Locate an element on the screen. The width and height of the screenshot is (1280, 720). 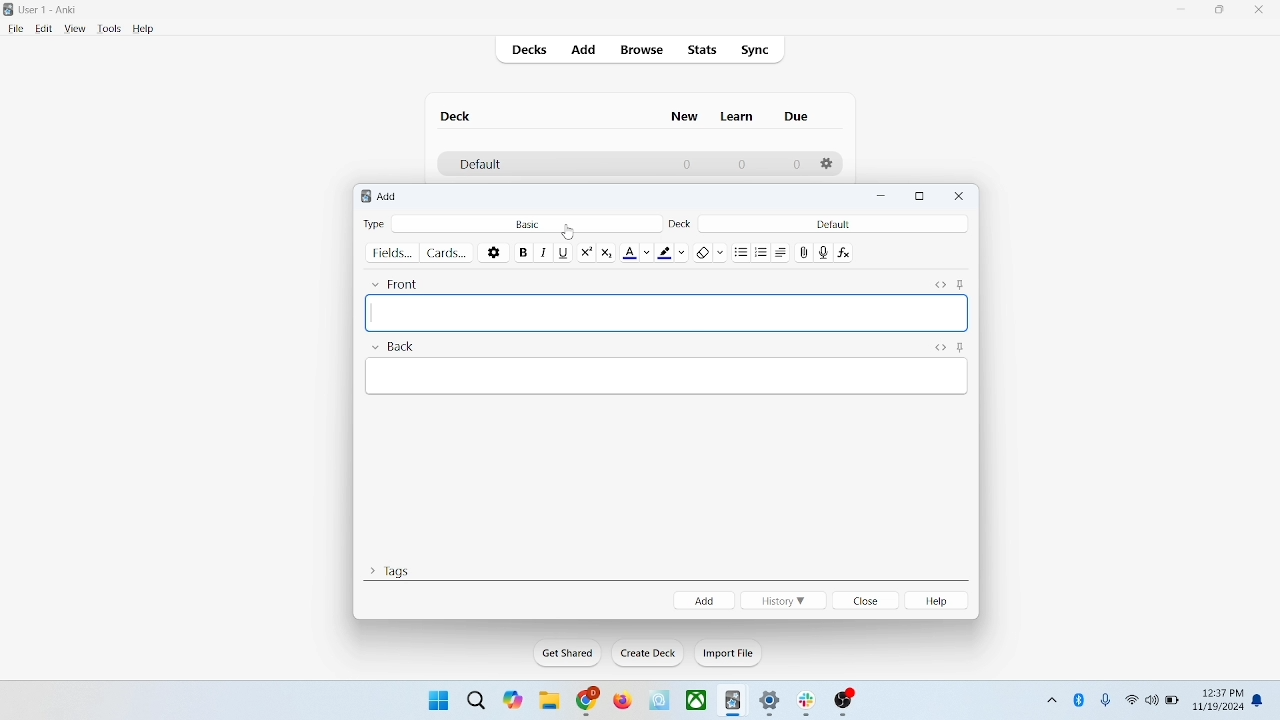
maximize is located at coordinates (920, 197).